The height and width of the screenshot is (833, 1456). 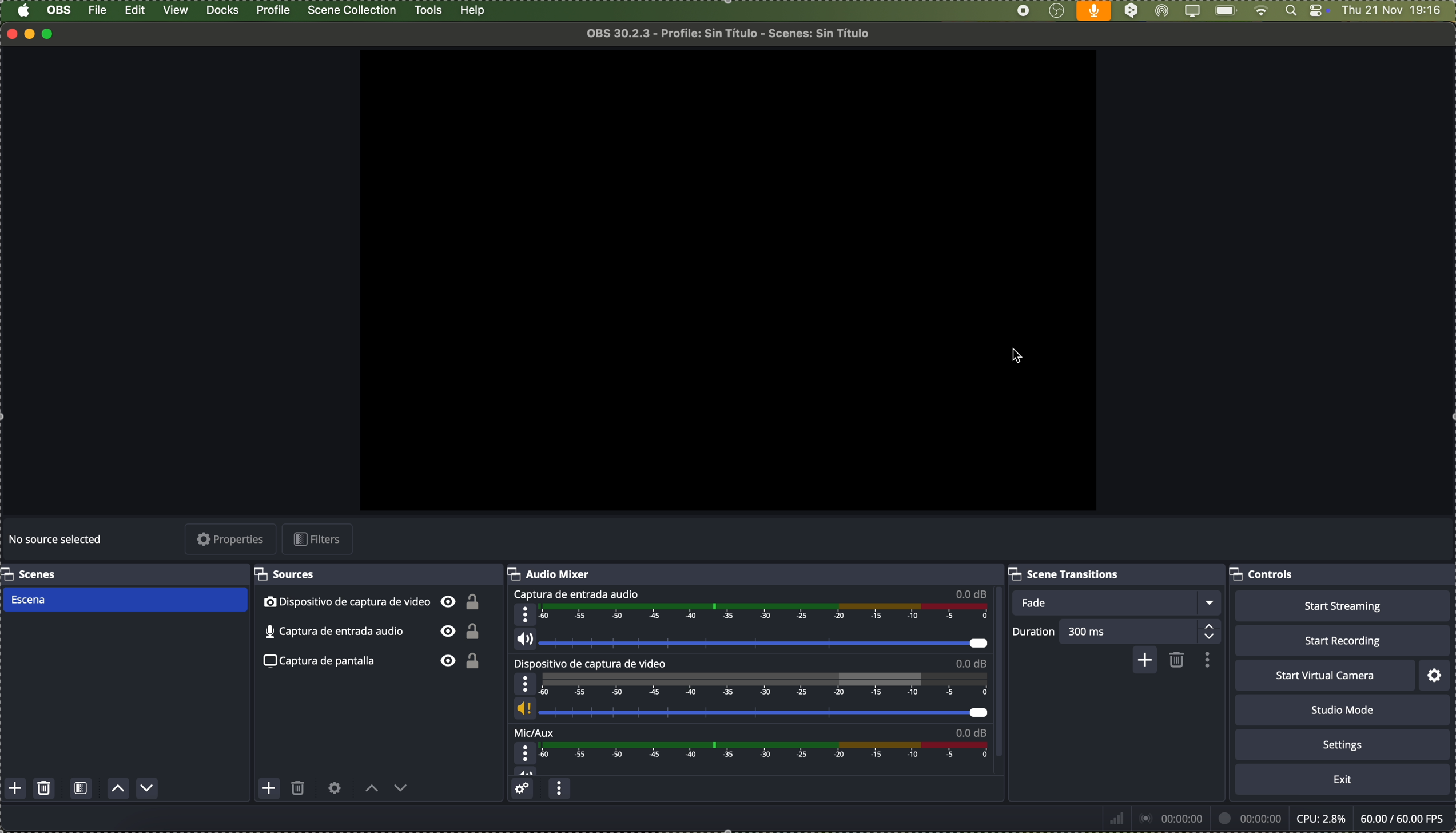 What do you see at coordinates (376, 663) in the screenshot?
I see `screenshot` at bounding box center [376, 663].